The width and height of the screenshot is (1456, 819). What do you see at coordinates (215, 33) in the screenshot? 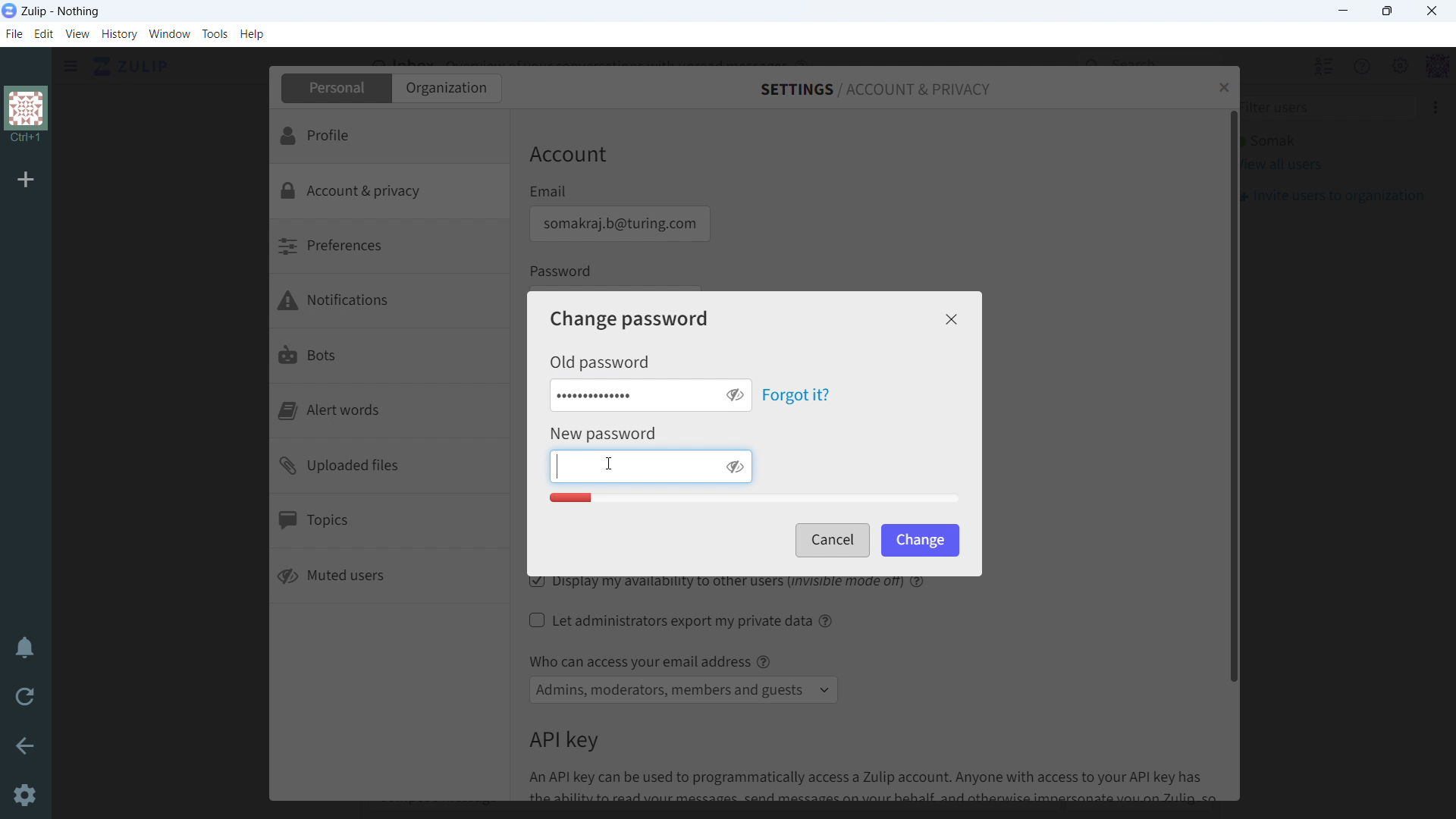
I see `tools` at bounding box center [215, 33].